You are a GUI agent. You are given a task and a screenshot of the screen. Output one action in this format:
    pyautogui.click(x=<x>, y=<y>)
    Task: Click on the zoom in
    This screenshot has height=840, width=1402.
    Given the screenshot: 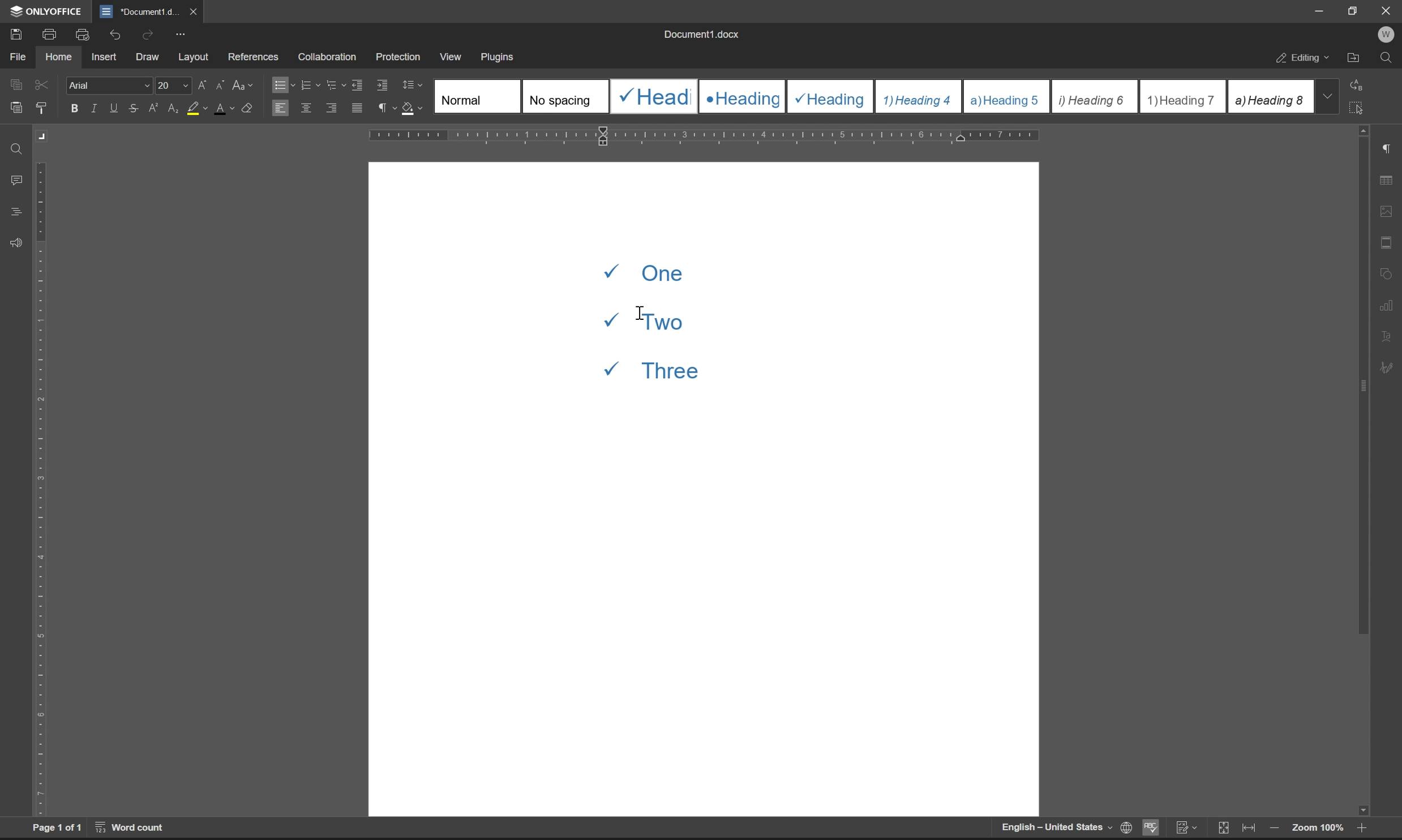 What is the action you would take?
    pyautogui.click(x=1359, y=830)
    